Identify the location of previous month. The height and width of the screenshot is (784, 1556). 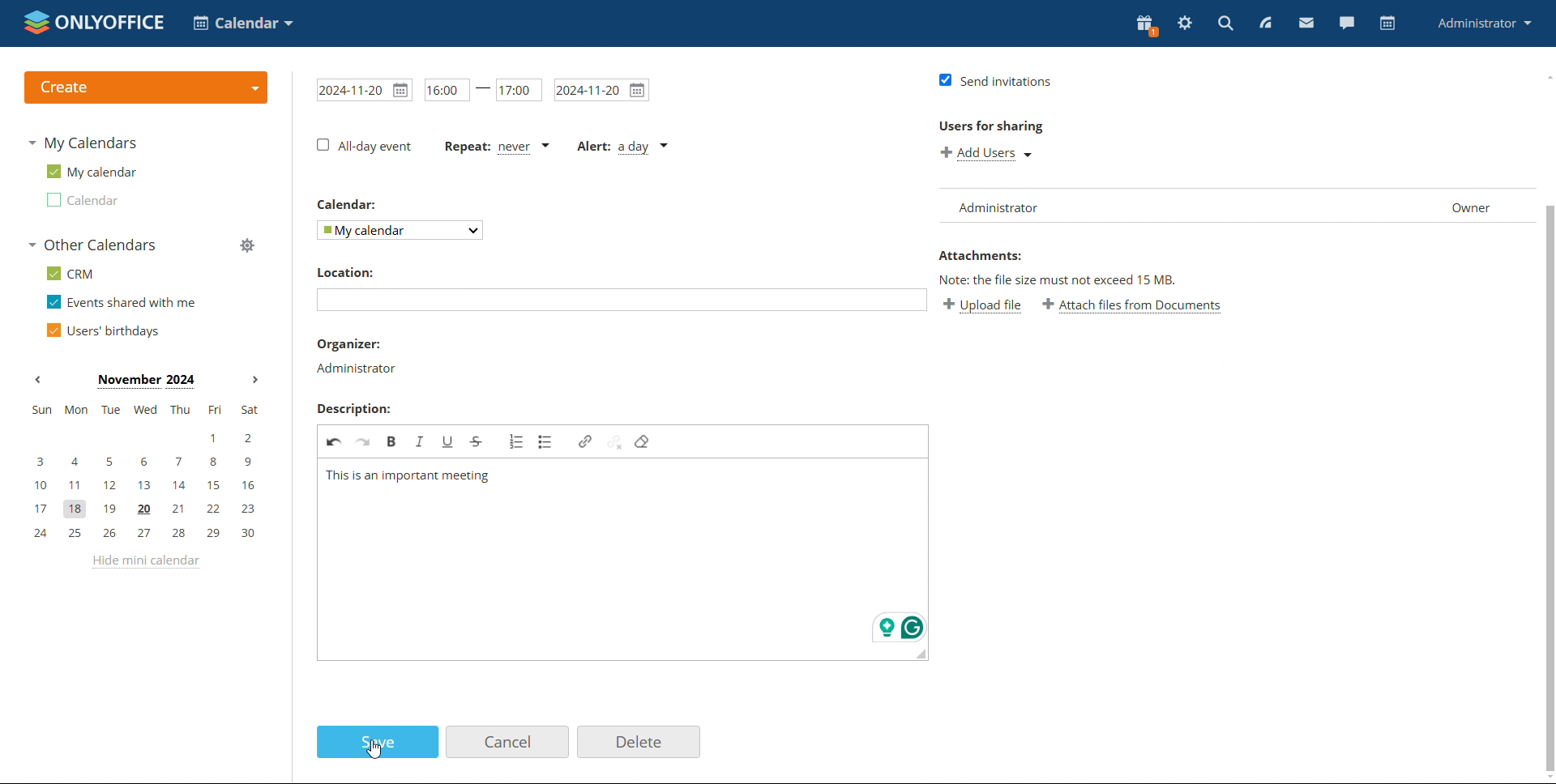
(37, 380).